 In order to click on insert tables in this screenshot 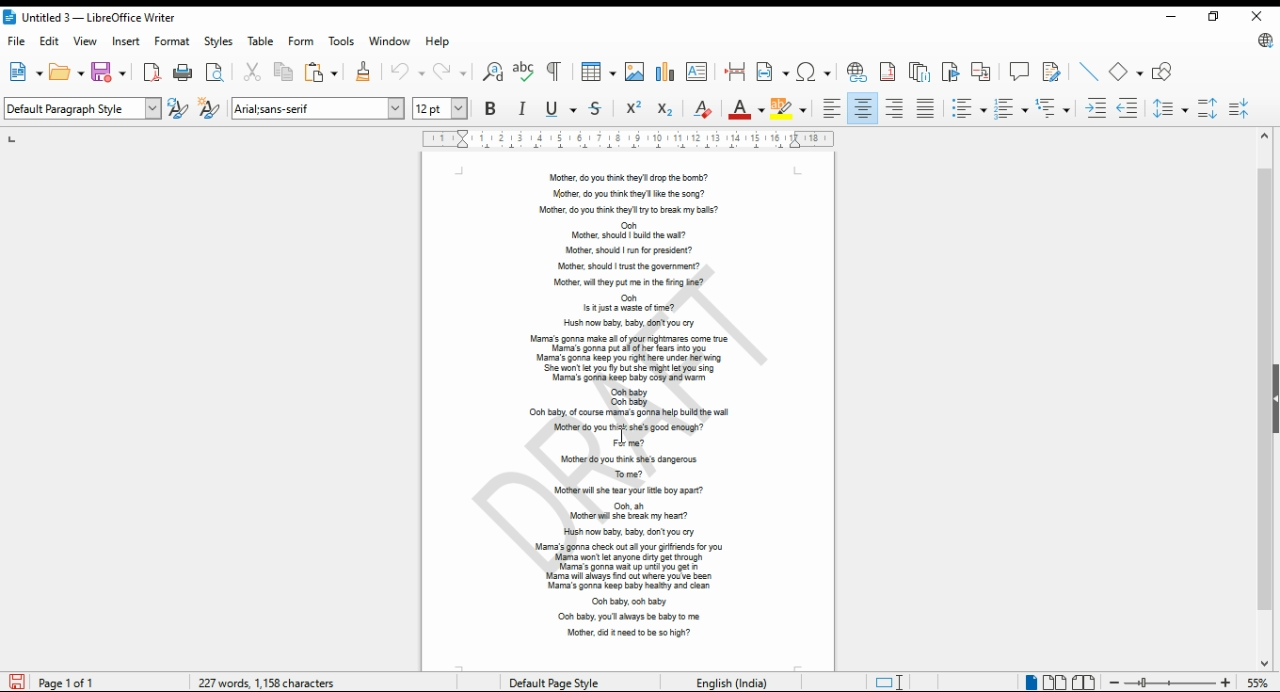, I will do `click(599, 72)`.